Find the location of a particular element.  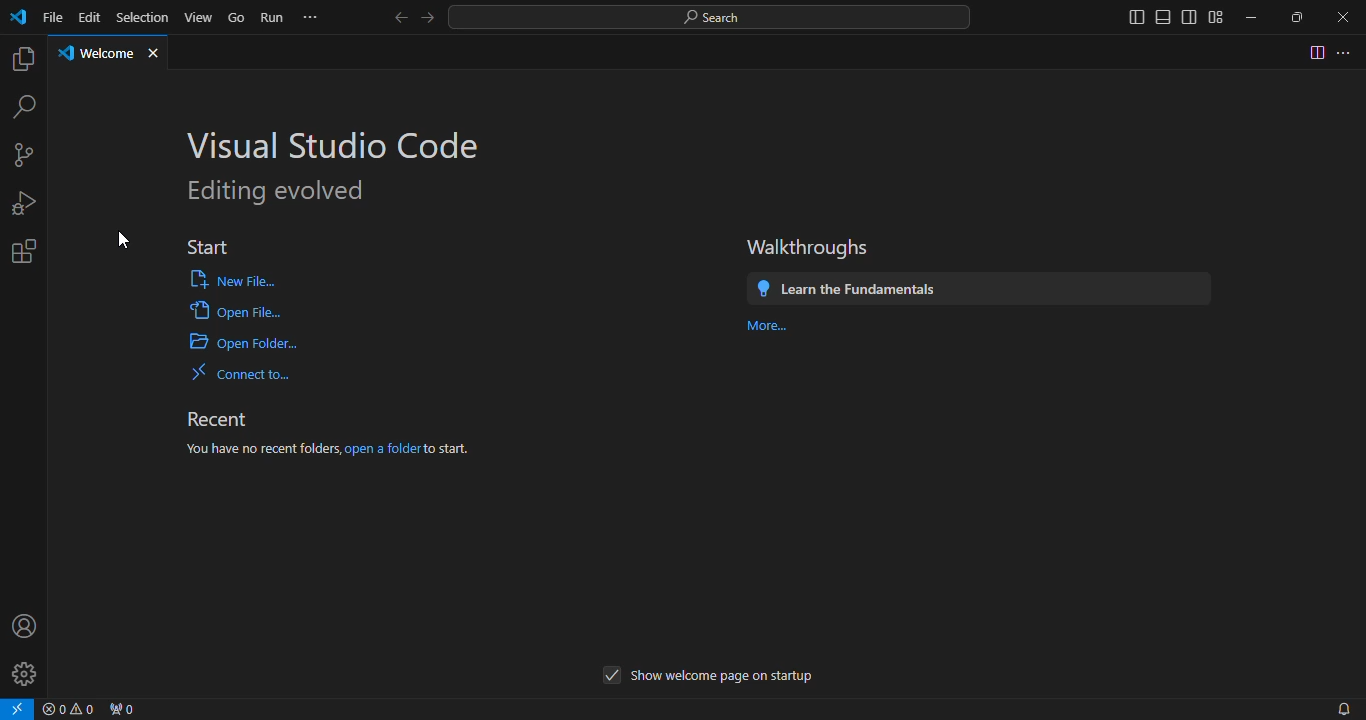

more is located at coordinates (314, 17).